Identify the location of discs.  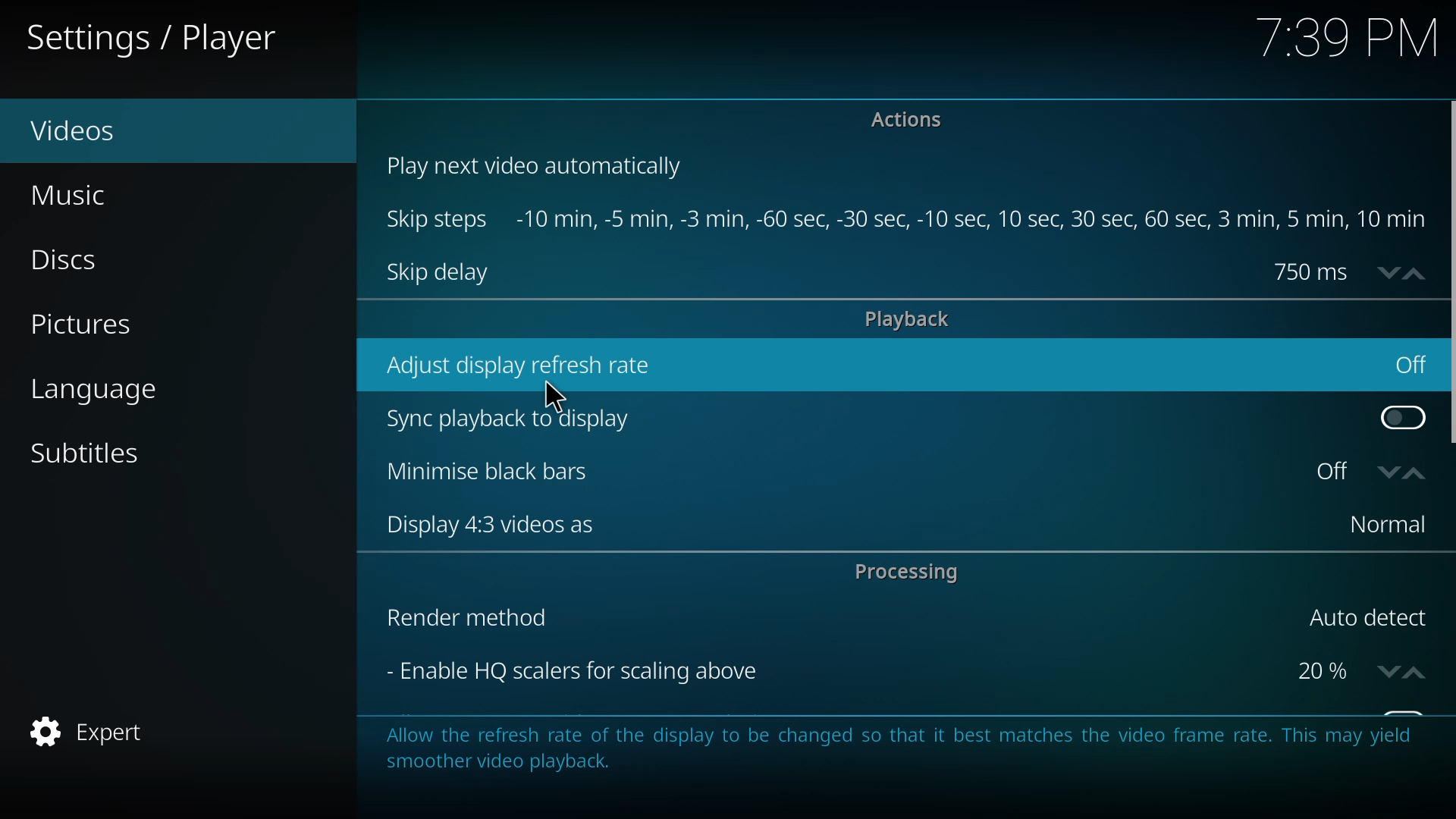
(80, 262).